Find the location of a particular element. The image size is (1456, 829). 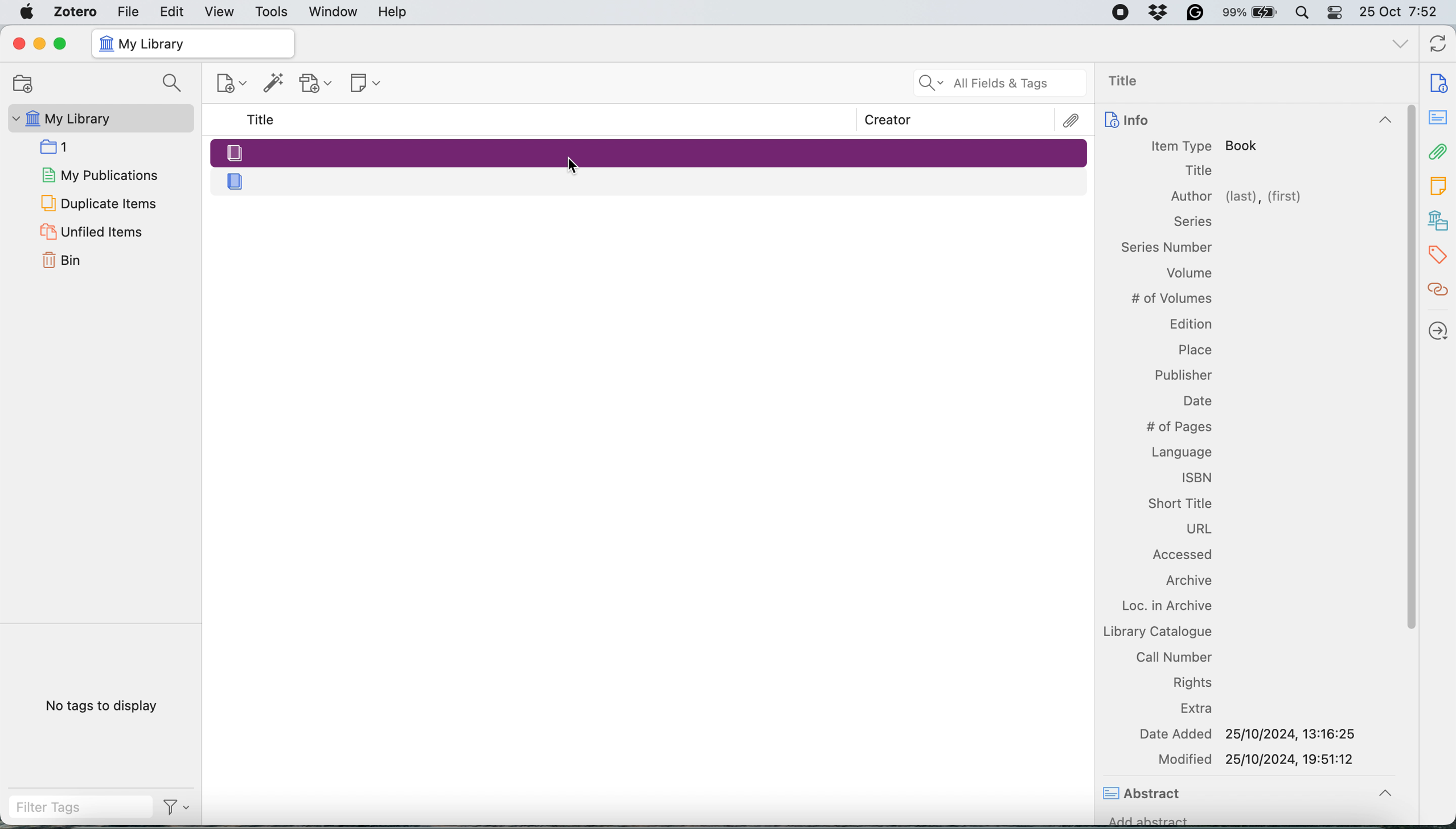

Title is located at coordinates (1129, 82).